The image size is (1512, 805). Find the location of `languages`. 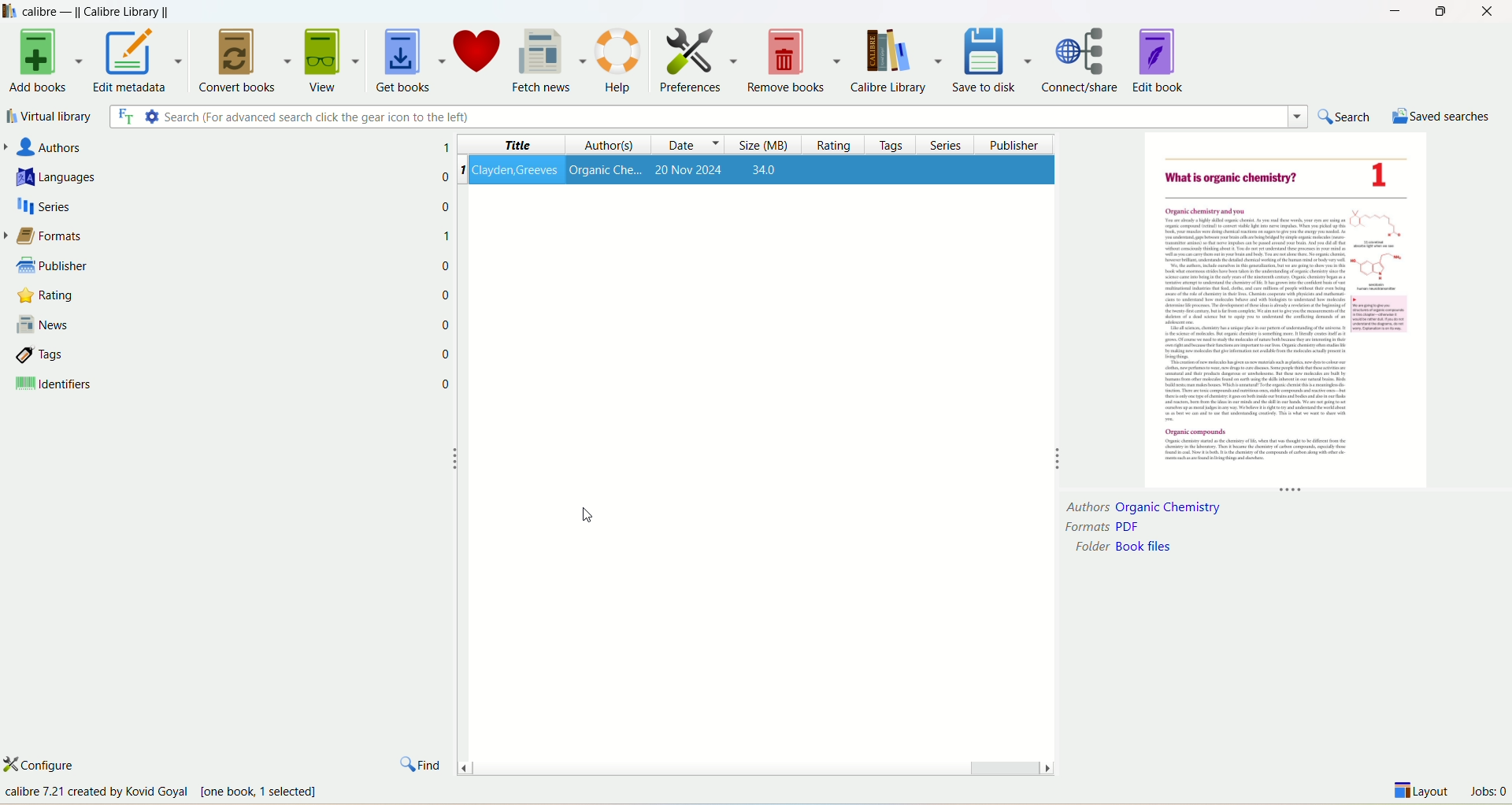

languages is located at coordinates (200, 178).